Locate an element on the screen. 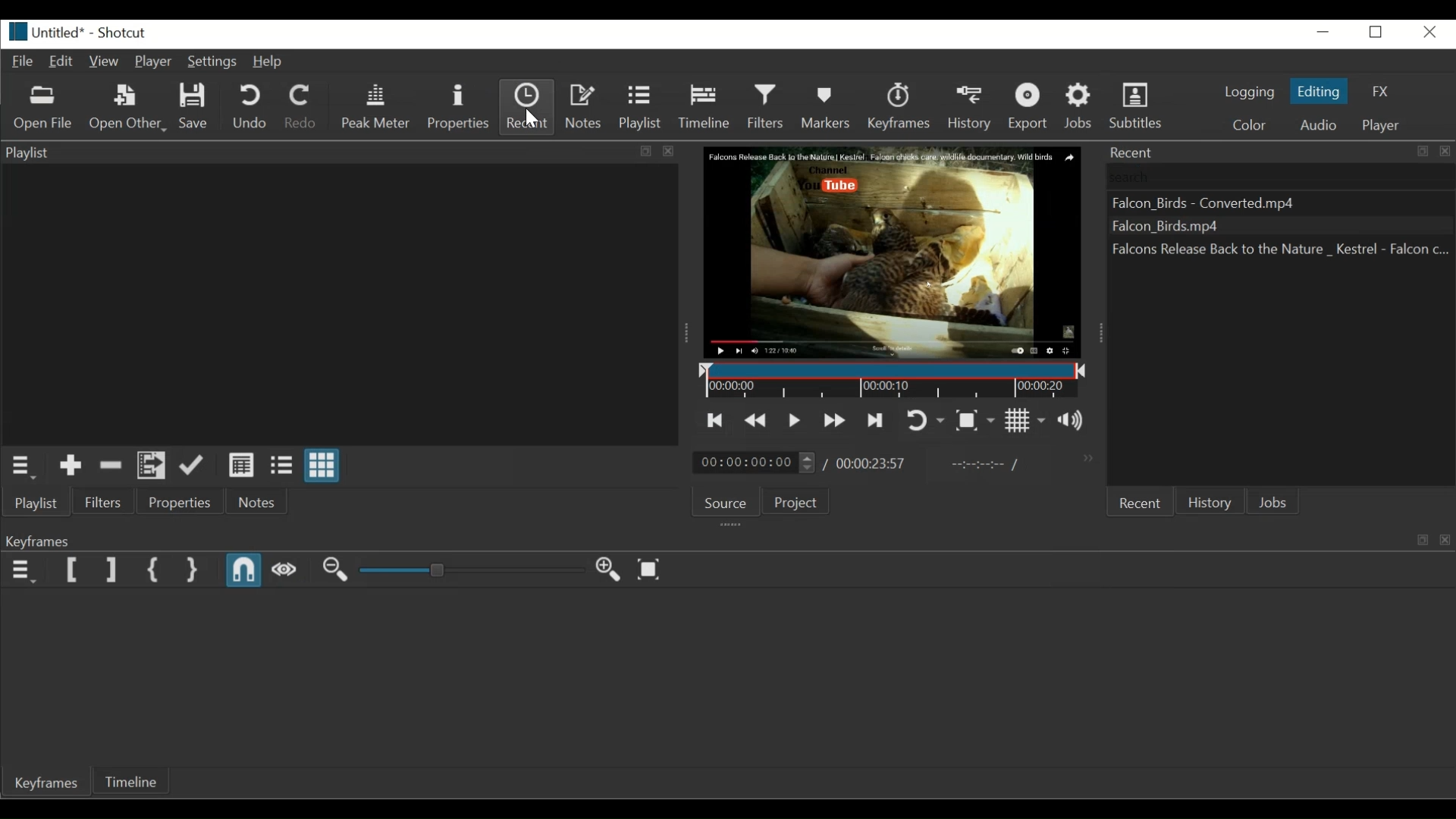  Timeline is located at coordinates (707, 106).